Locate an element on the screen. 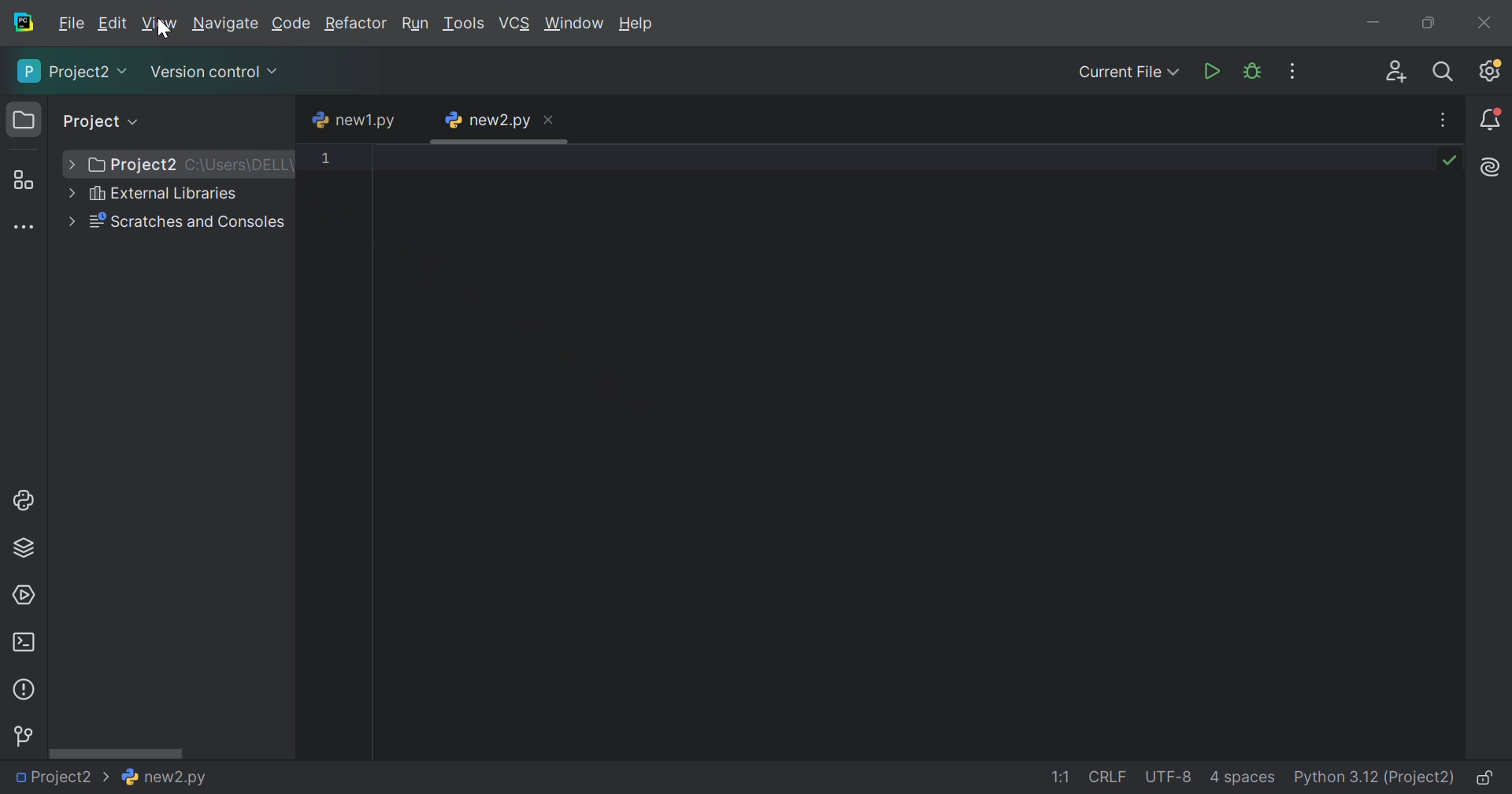 The width and height of the screenshot is (1512, 794). Make file read-only is located at coordinates (1487, 779).